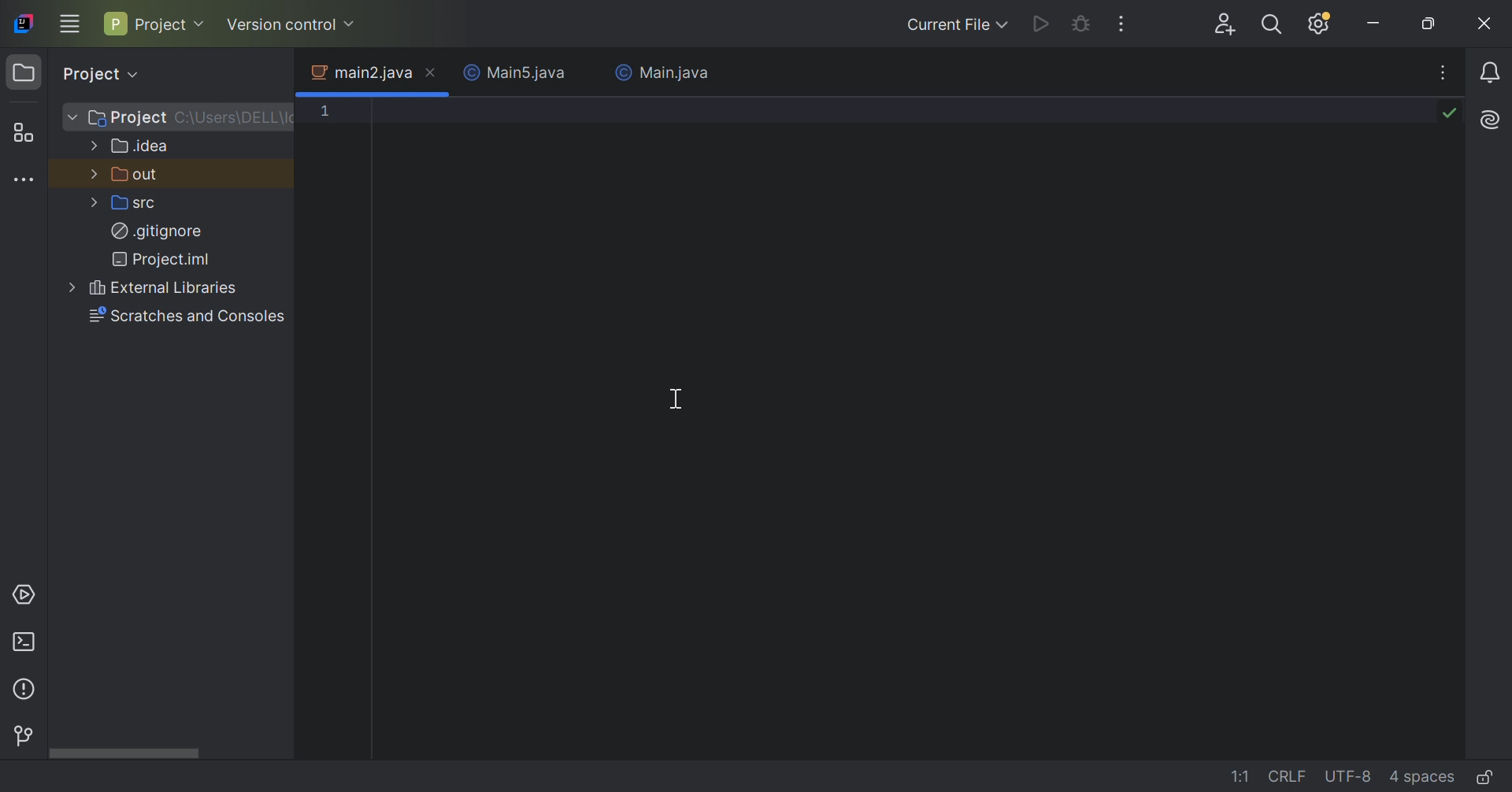  I want to click on More, so click(69, 288).